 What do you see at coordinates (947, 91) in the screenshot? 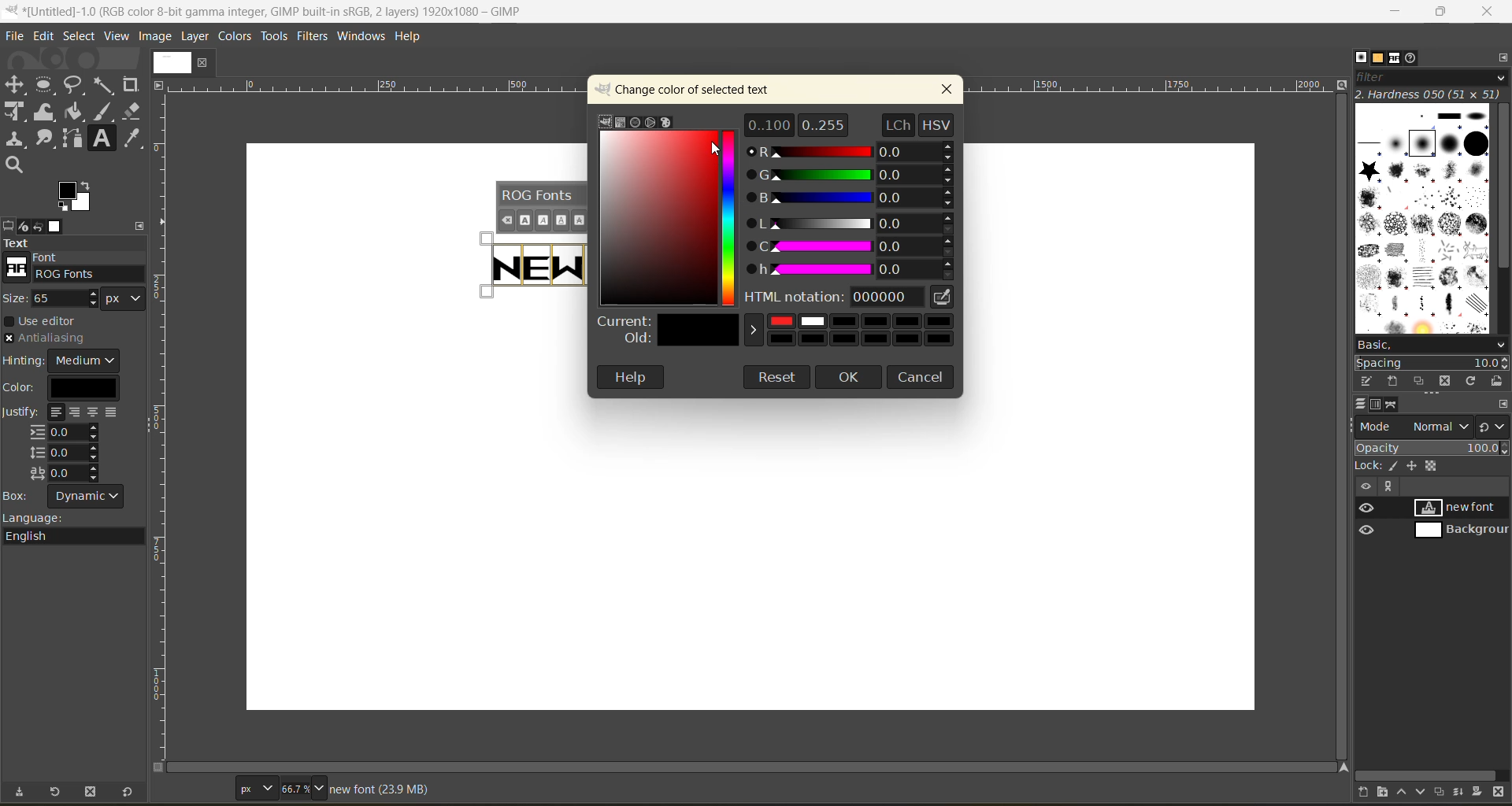
I see `close` at bounding box center [947, 91].